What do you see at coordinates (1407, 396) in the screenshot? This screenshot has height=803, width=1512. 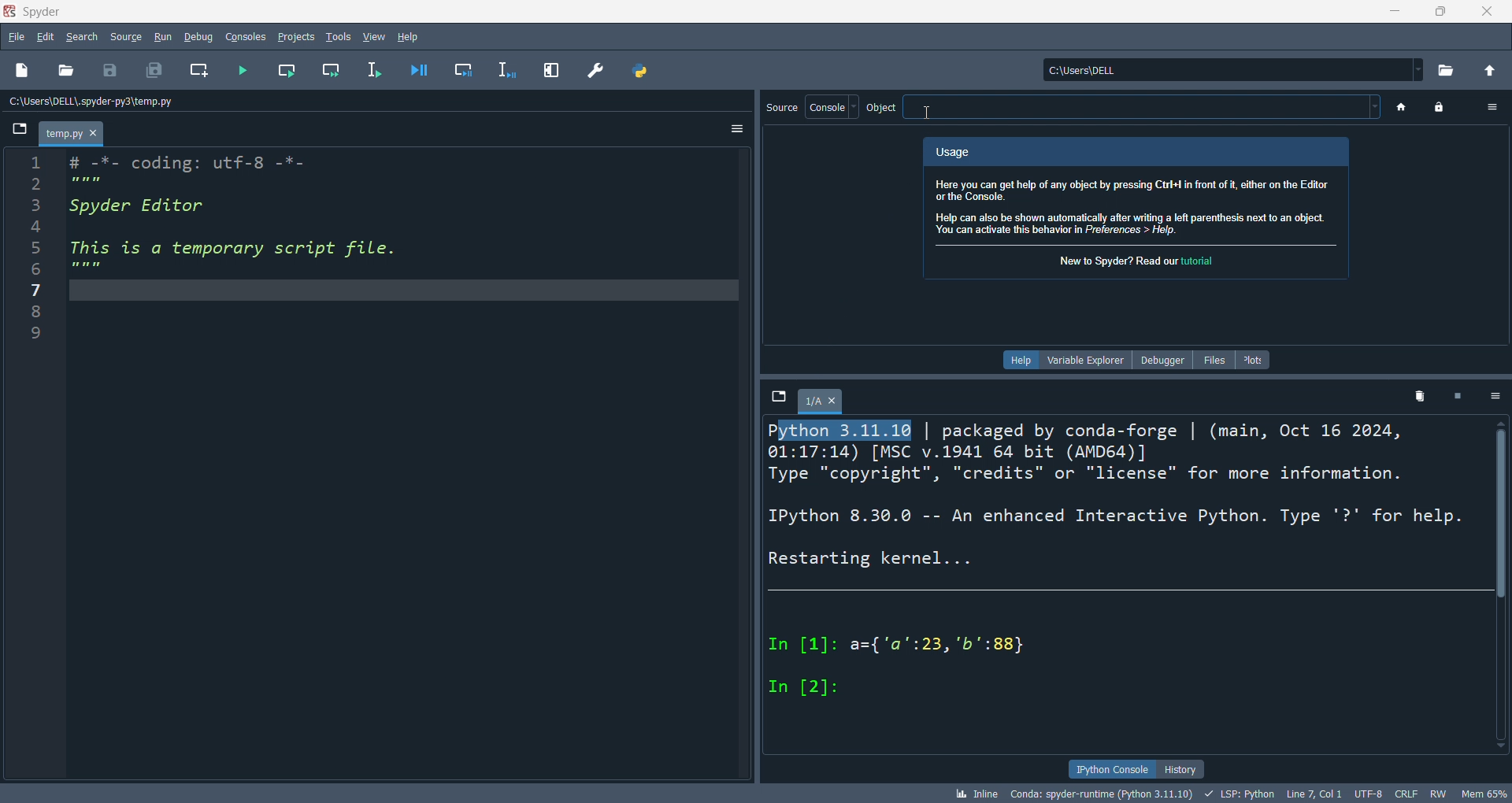 I see `delete` at bounding box center [1407, 396].